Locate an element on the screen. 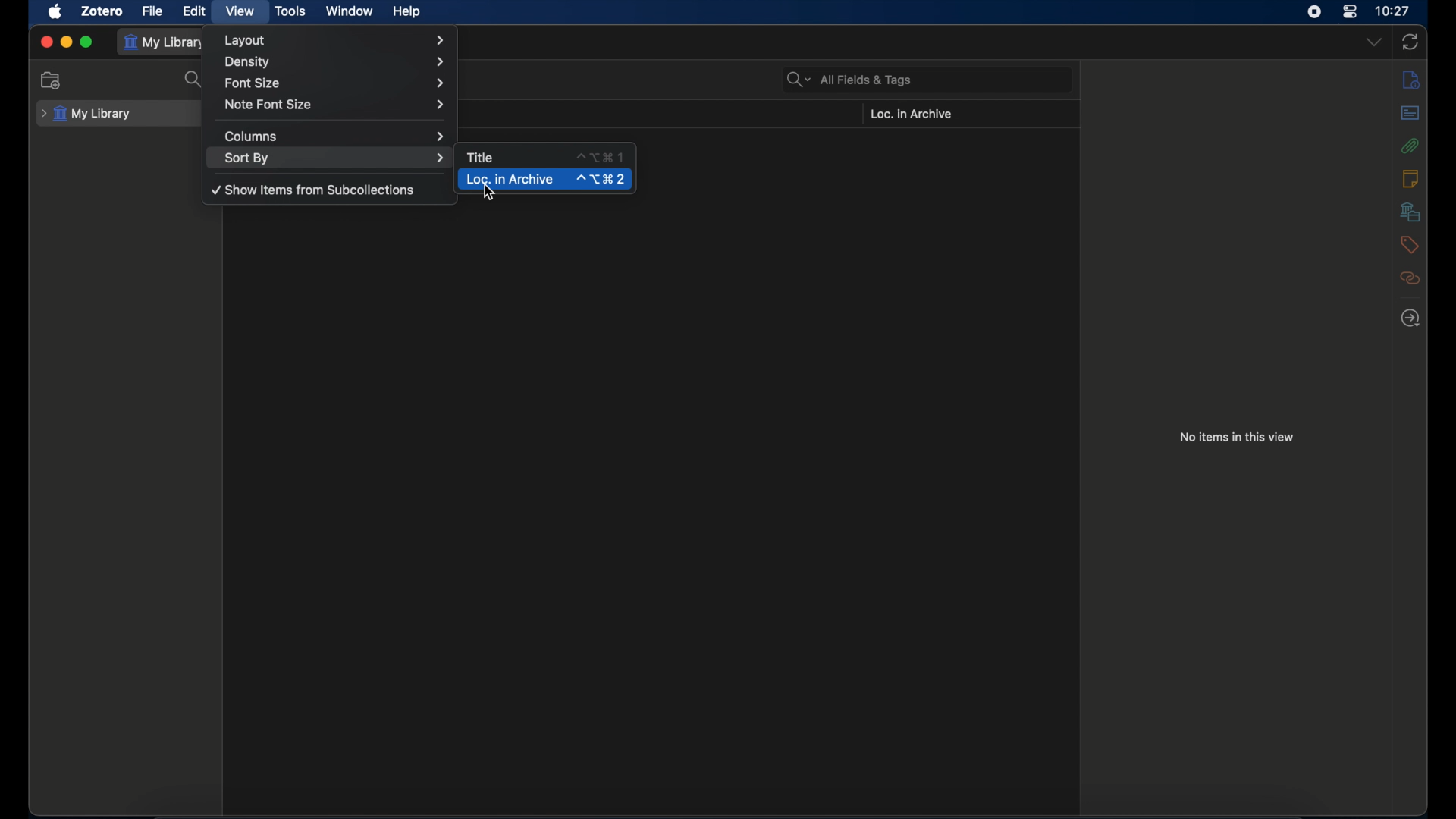  loc. in archive is located at coordinates (911, 114).